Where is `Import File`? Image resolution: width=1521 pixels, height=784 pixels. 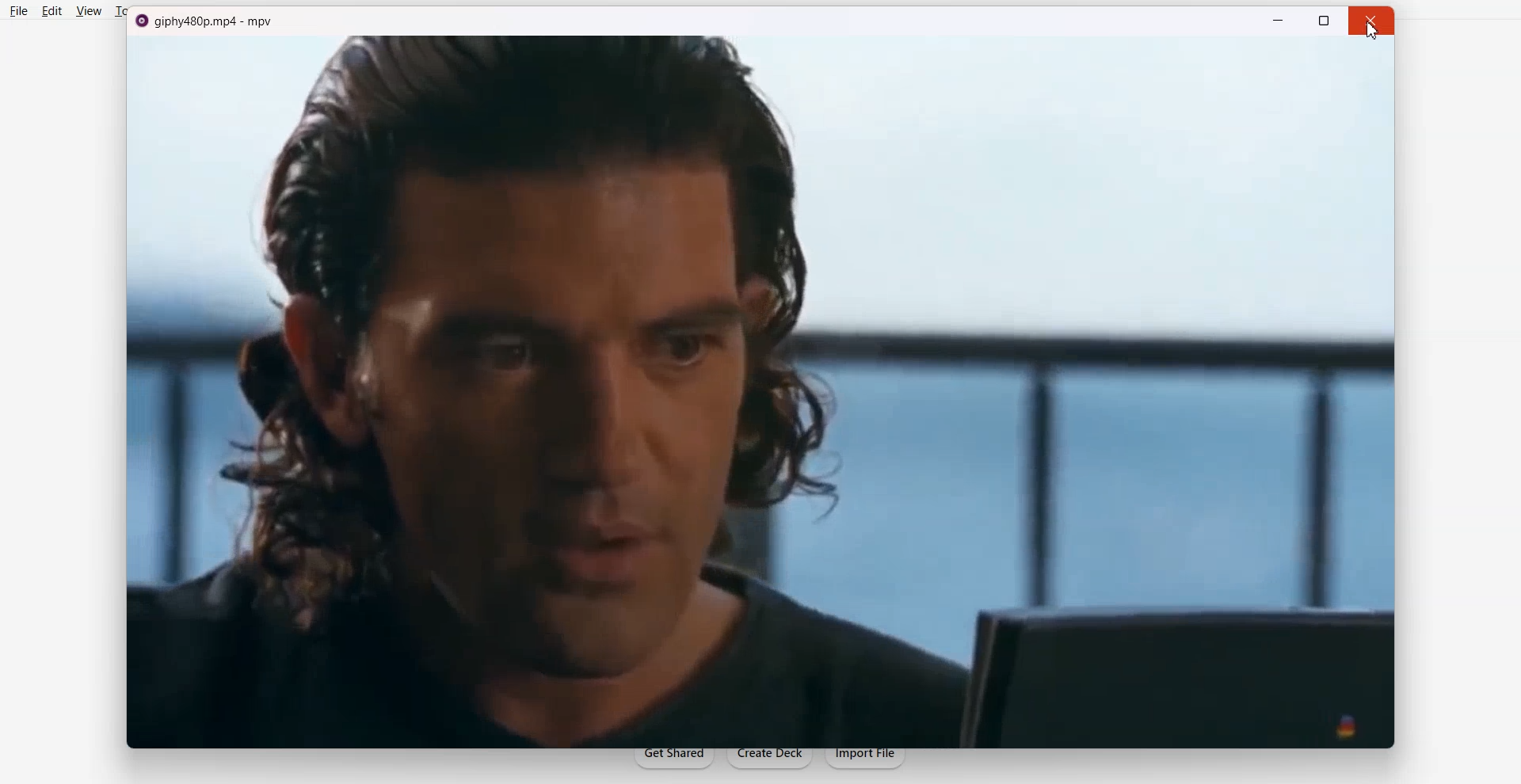 Import File is located at coordinates (871, 761).